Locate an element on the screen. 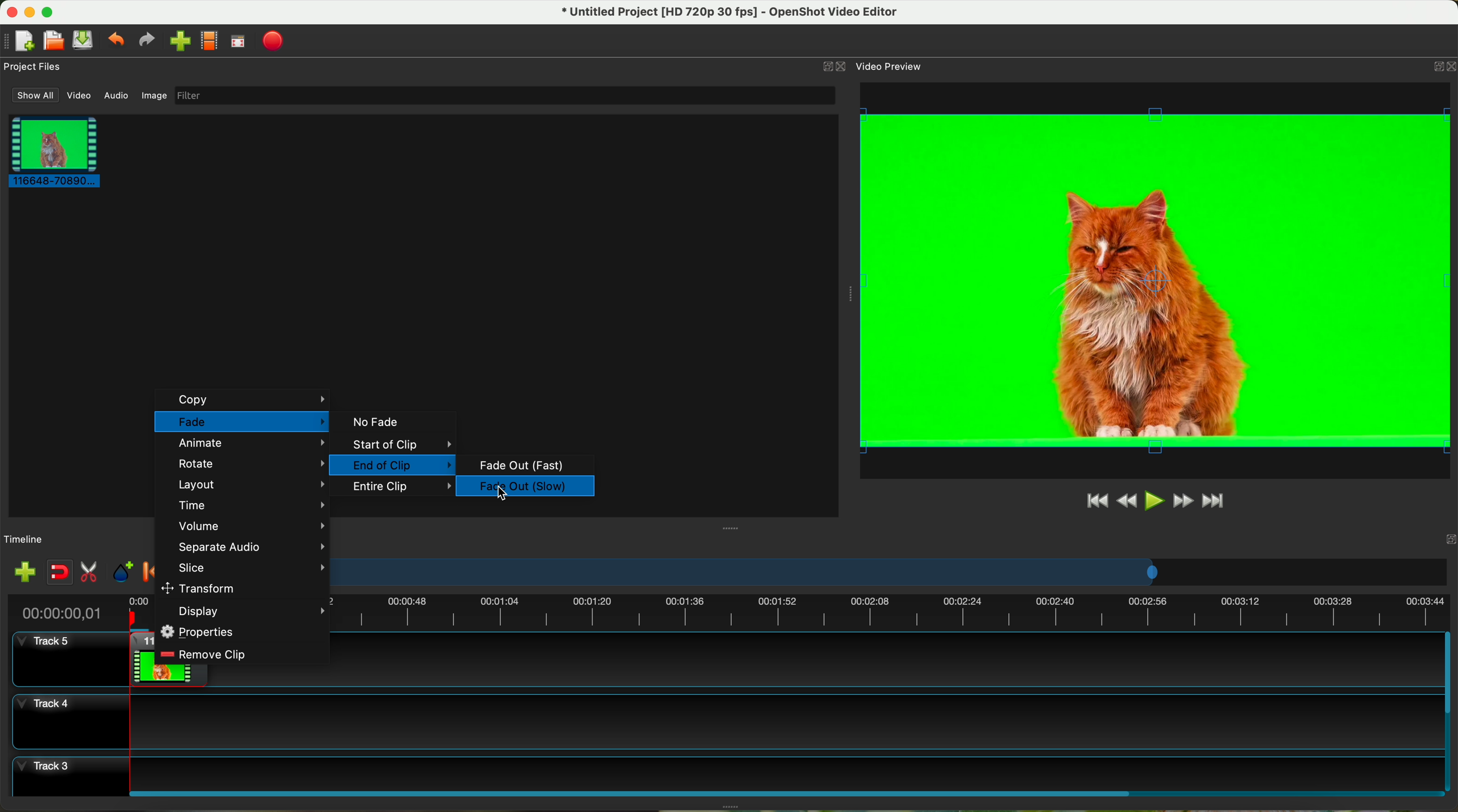  undo is located at coordinates (115, 38).